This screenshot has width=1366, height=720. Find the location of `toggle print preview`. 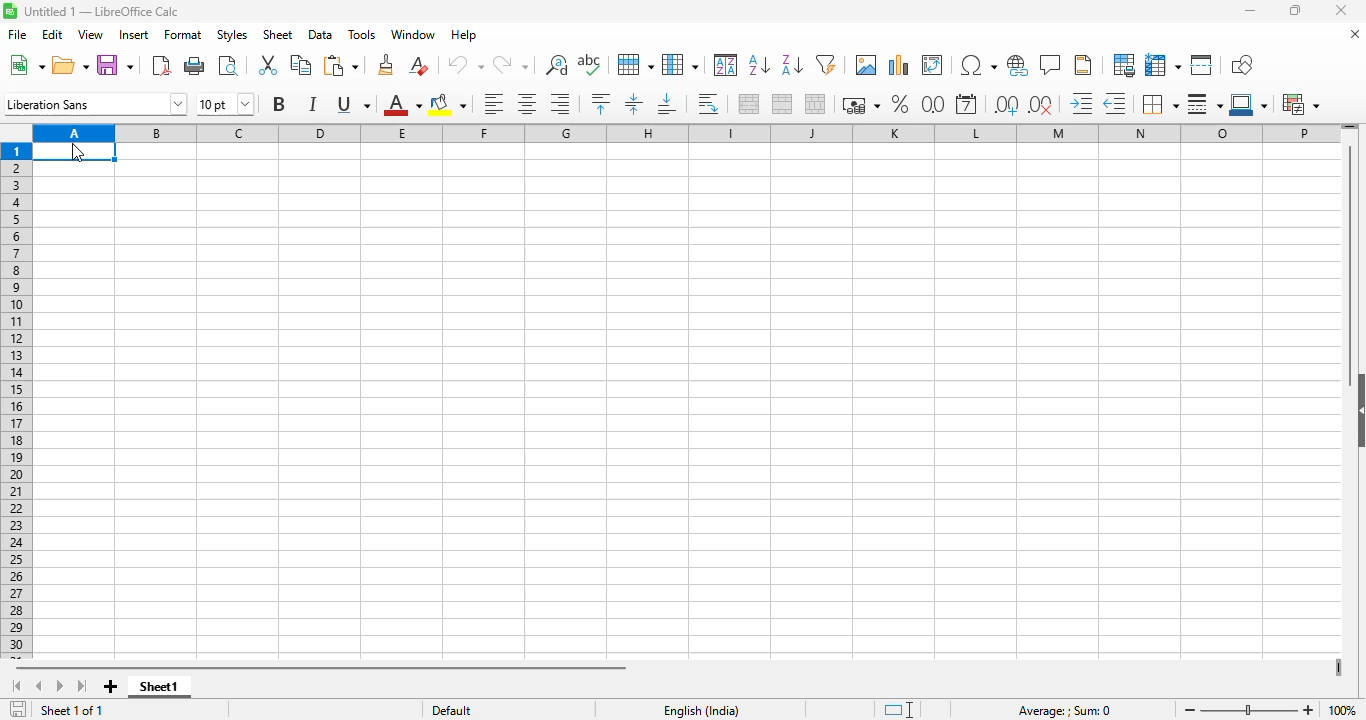

toggle print preview is located at coordinates (229, 66).